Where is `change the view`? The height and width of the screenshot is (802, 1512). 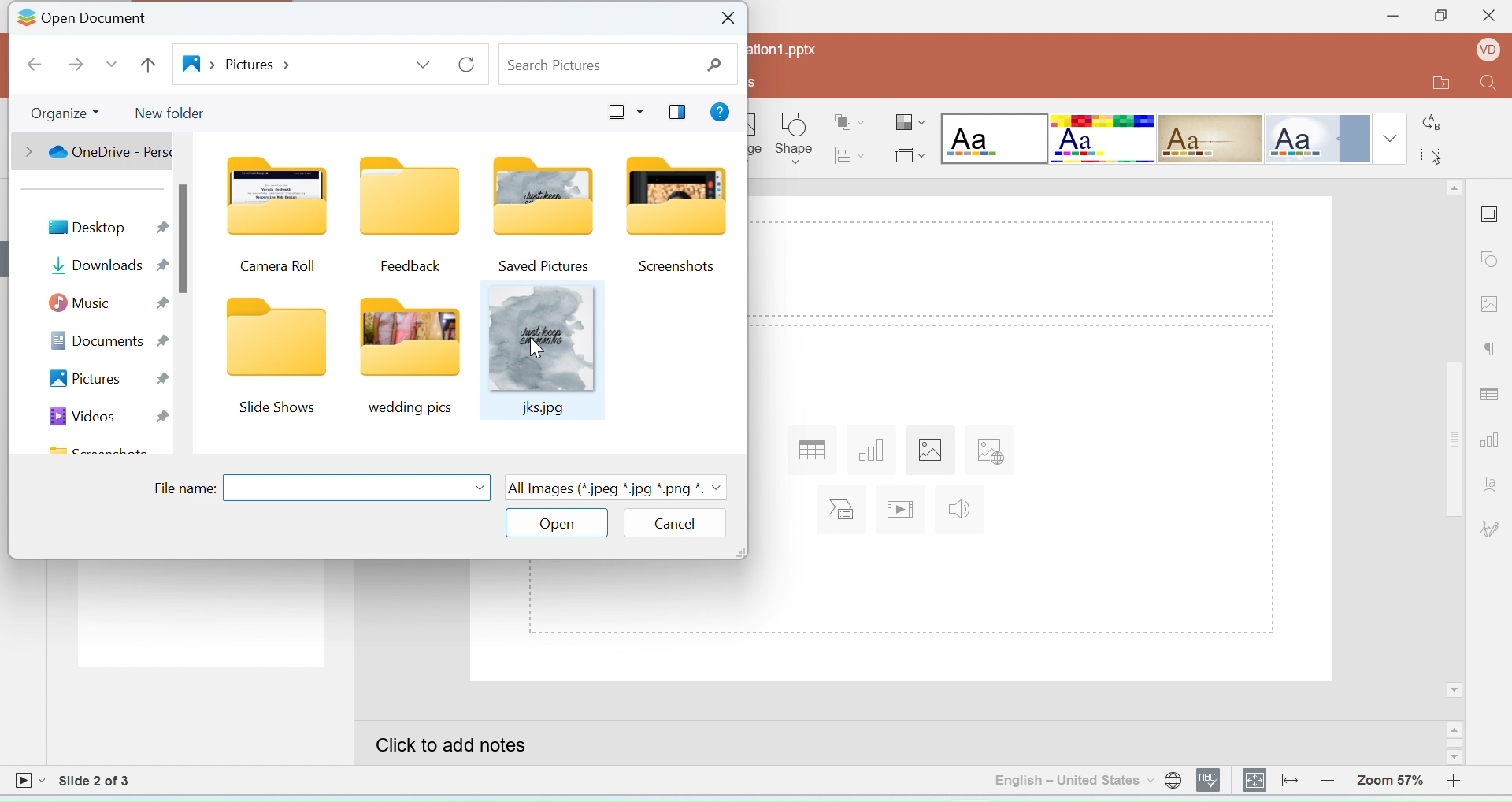
change the view is located at coordinates (622, 112).